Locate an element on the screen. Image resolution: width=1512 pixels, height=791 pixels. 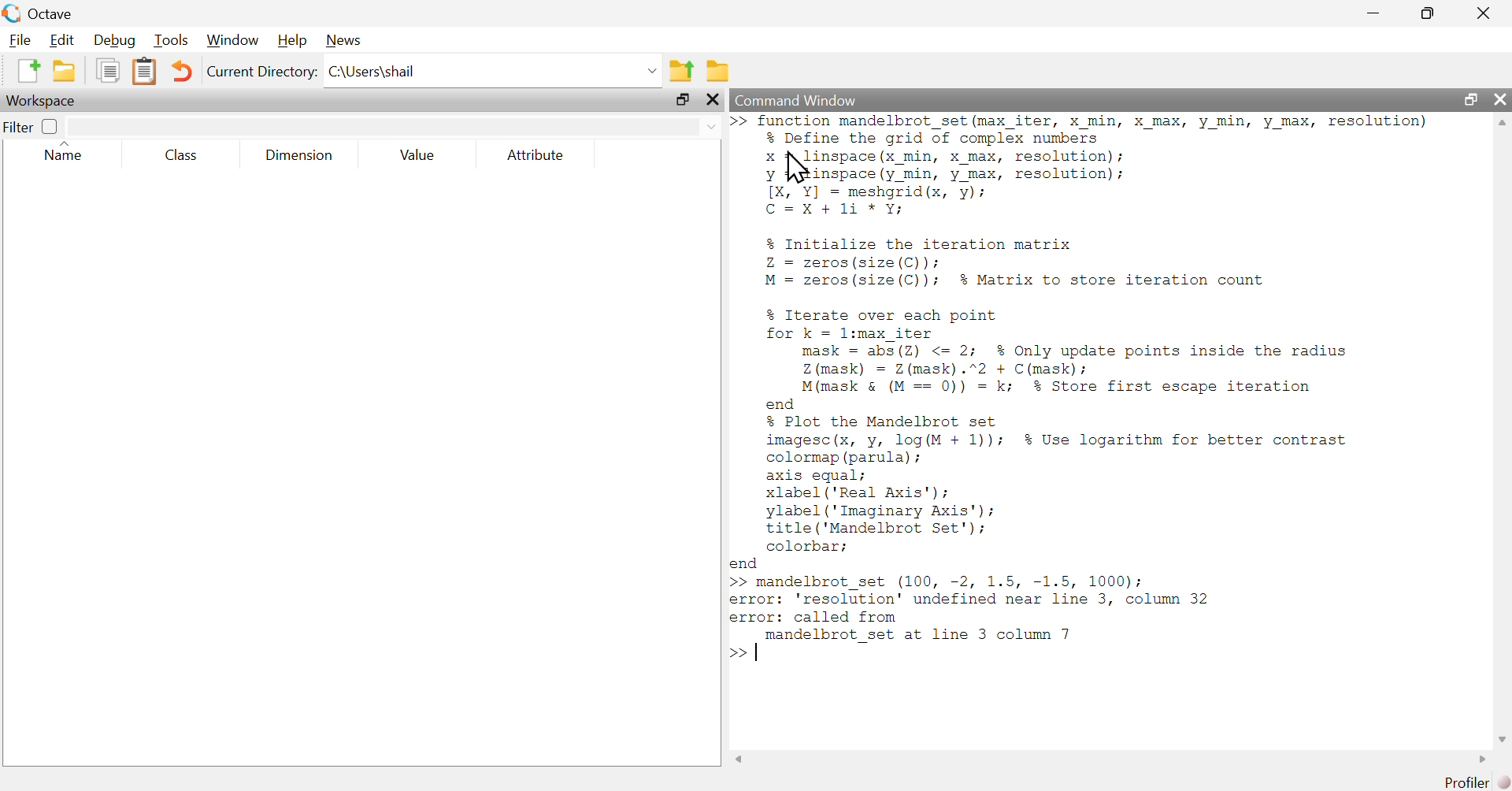
Attribute is located at coordinates (537, 156).